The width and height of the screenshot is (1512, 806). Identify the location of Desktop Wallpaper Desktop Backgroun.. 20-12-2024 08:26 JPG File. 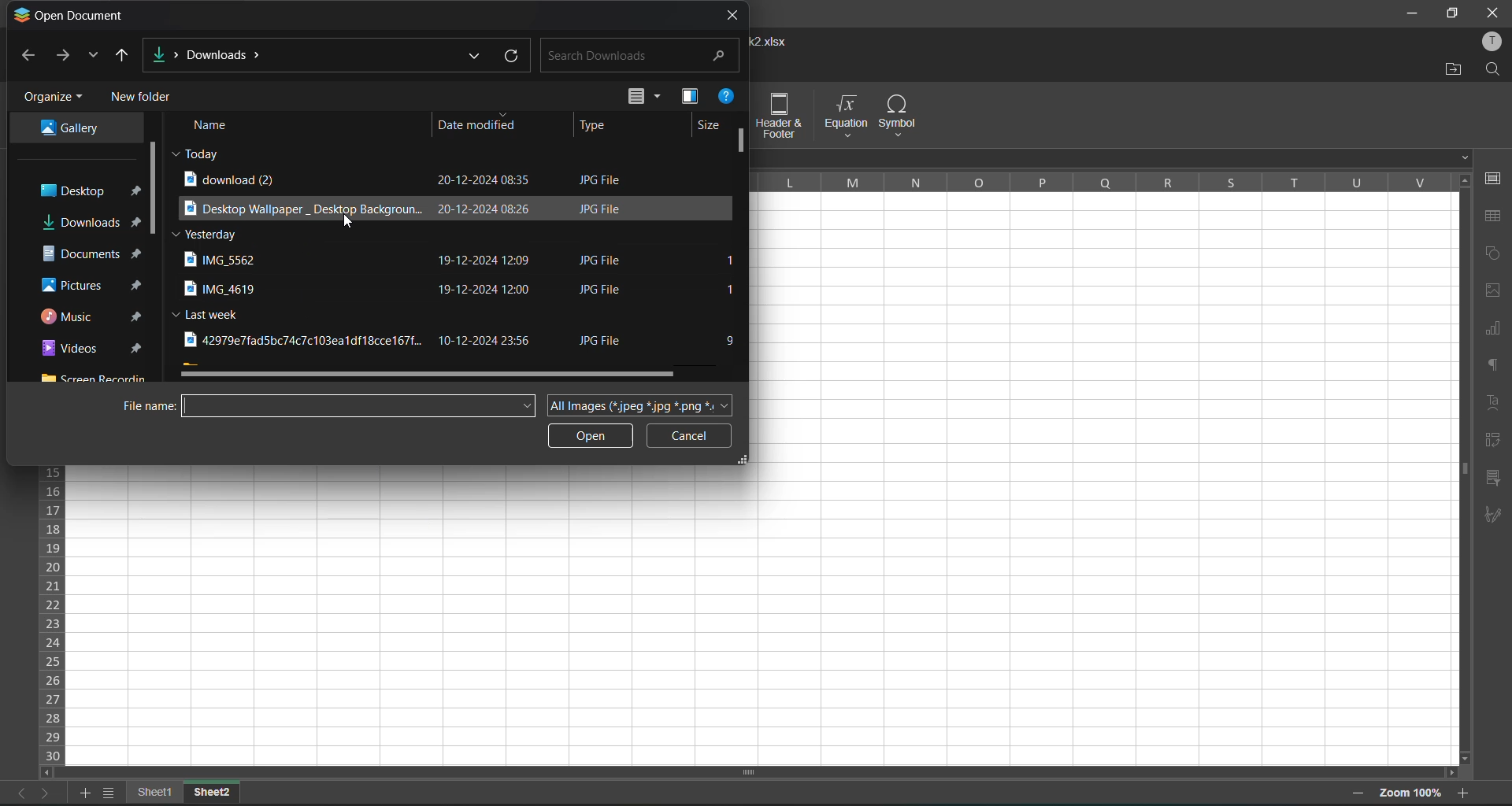
(408, 206).